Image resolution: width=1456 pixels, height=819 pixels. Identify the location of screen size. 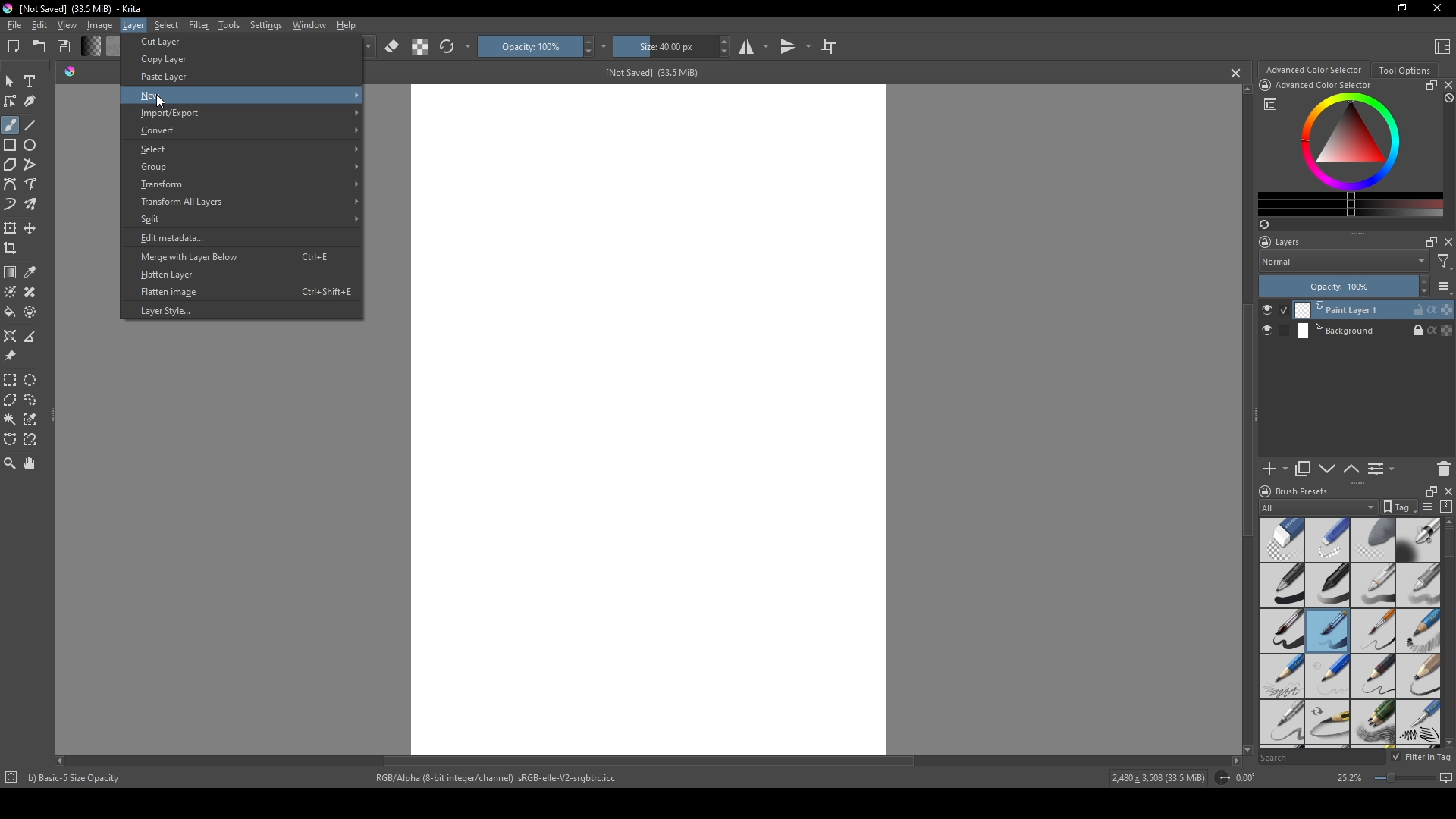
(1410, 780).